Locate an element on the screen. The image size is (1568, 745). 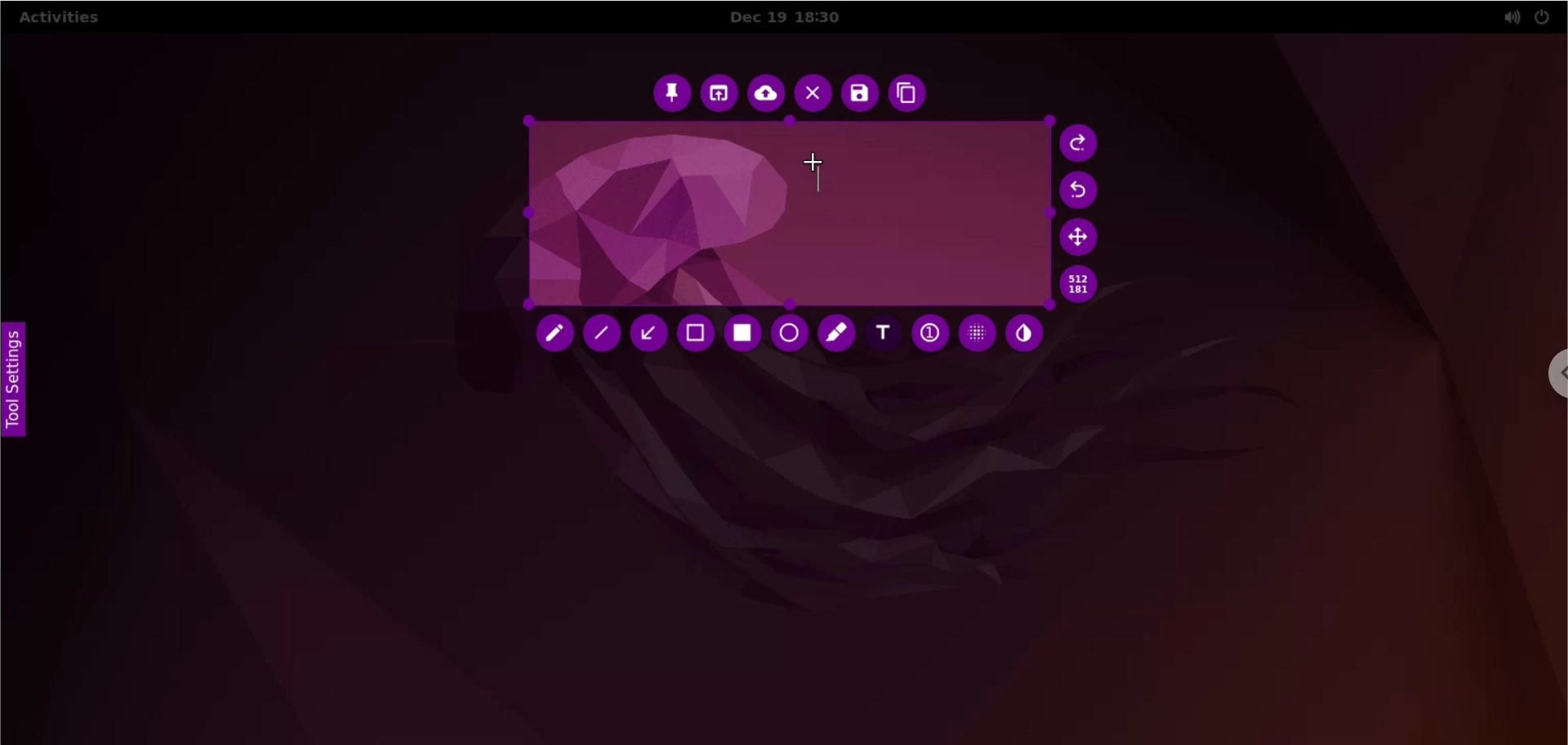
copy to clipboard is located at coordinates (912, 94).